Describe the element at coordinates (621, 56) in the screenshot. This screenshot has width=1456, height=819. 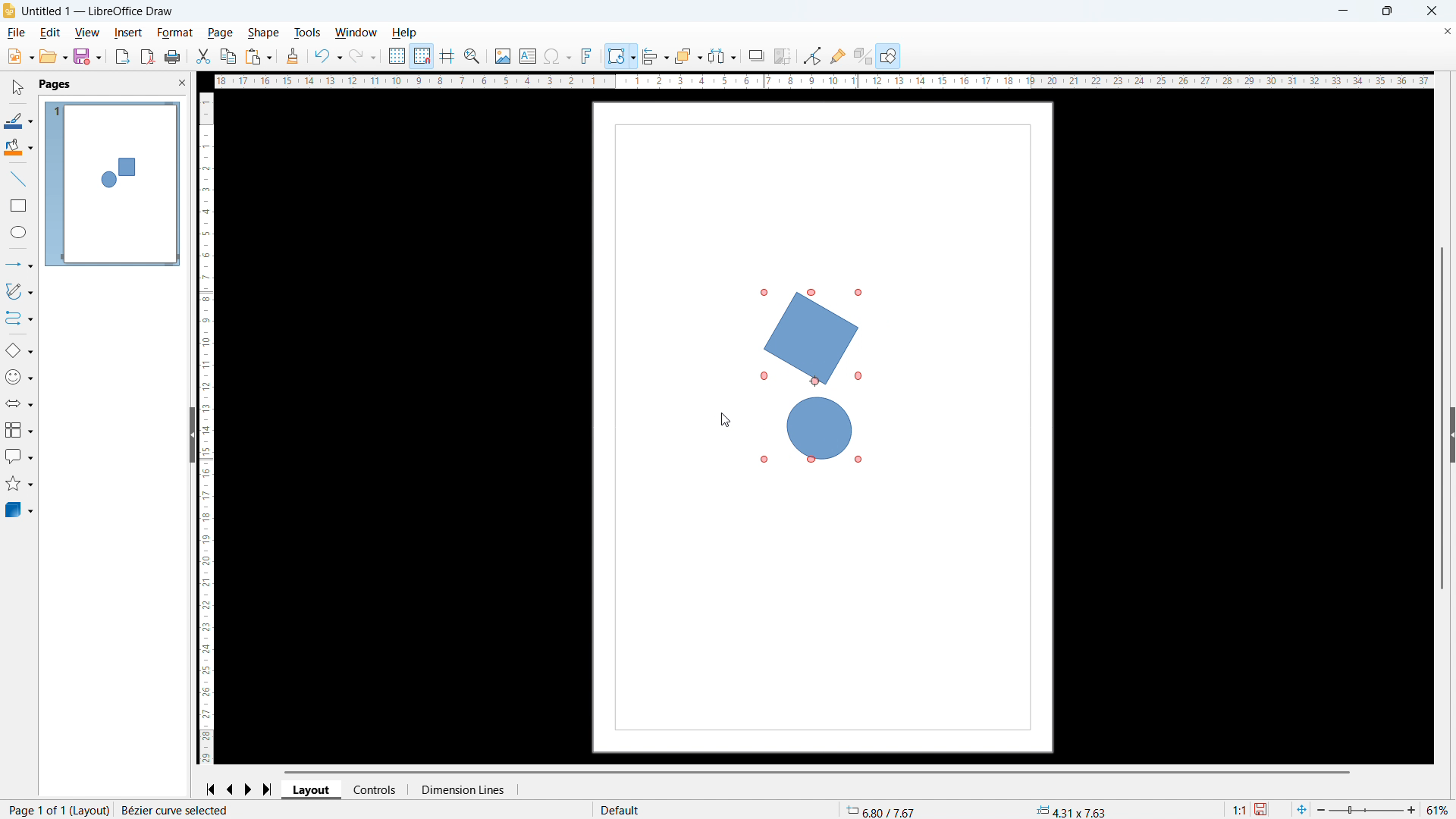
I see `Transformations ` at that location.